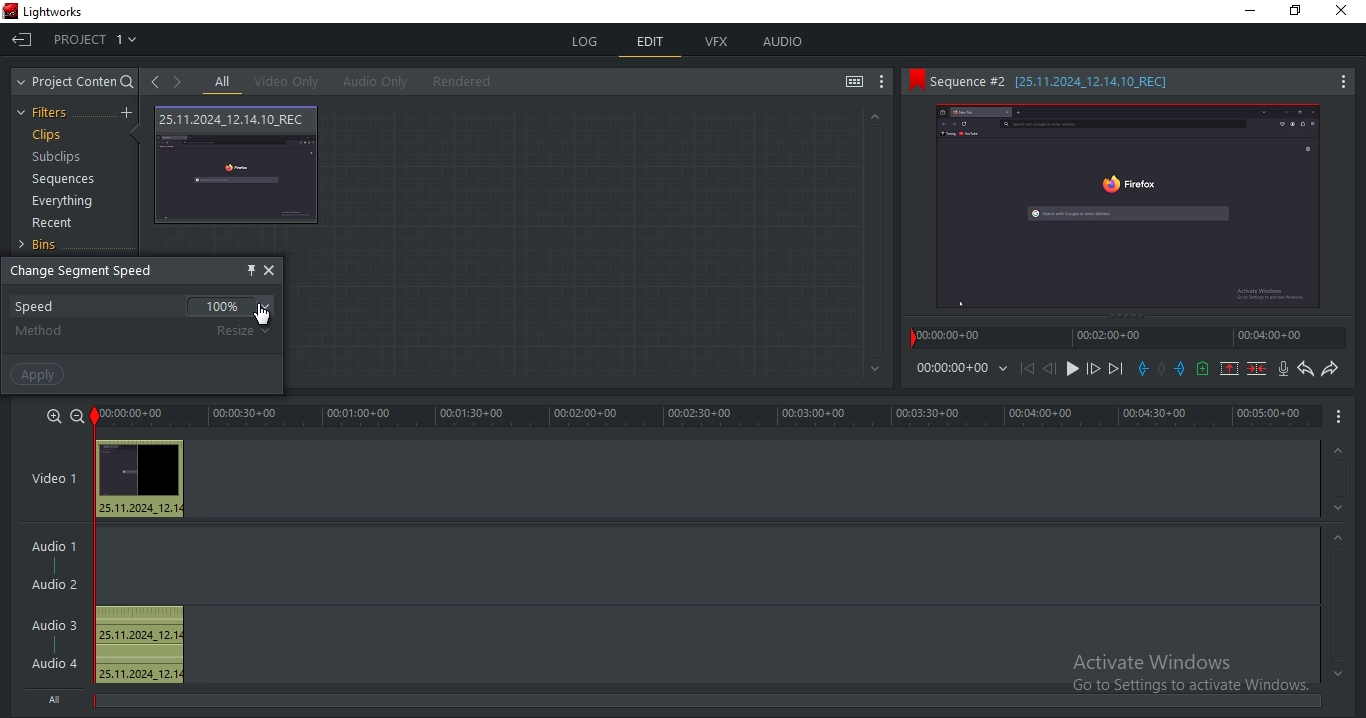 Image resolution: width=1366 pixels, height=718 pixels. I want to click on add an in mark, so click(1142, 369).